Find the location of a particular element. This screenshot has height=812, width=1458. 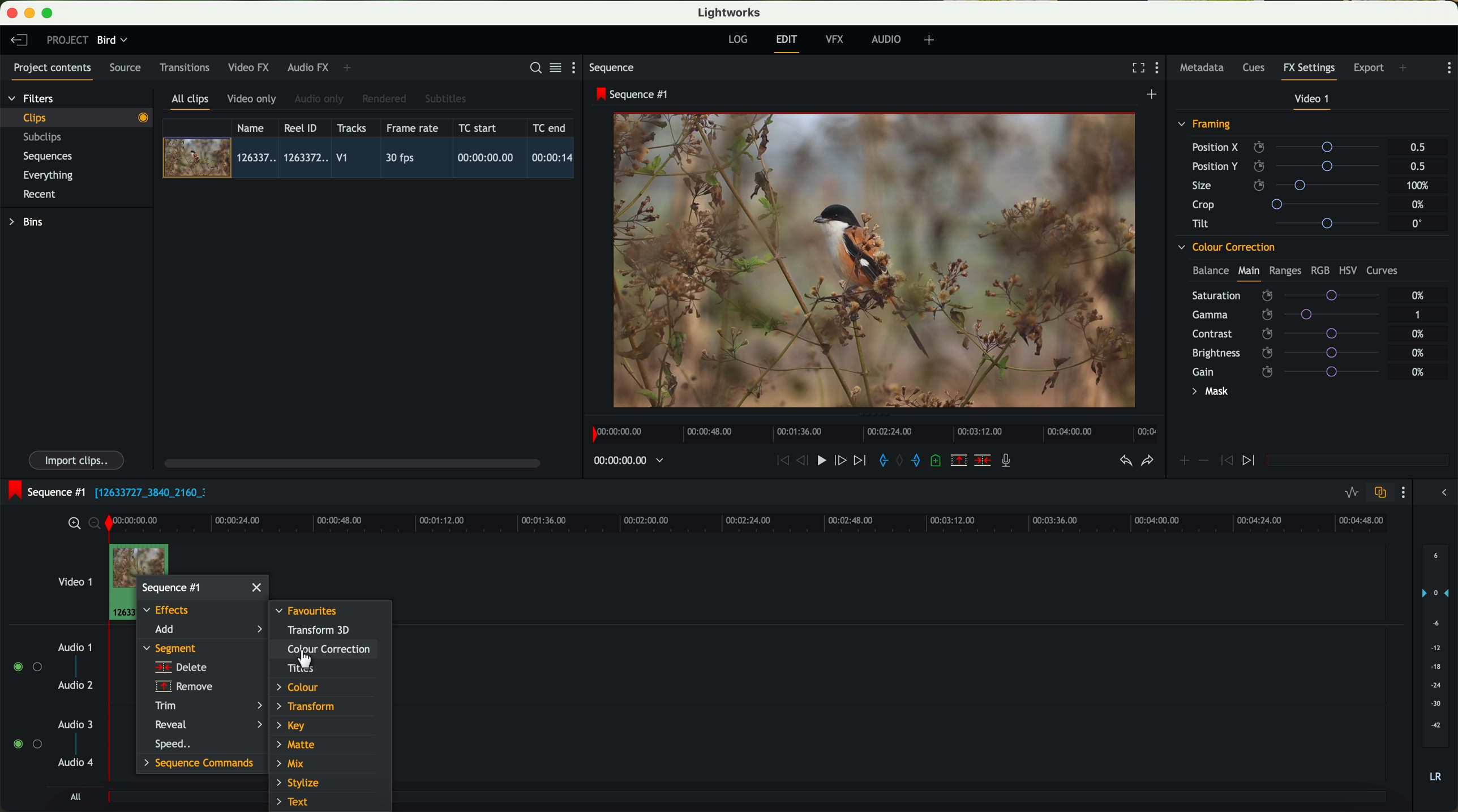

add, remove and create layouts is located at coordinates (931, 40).